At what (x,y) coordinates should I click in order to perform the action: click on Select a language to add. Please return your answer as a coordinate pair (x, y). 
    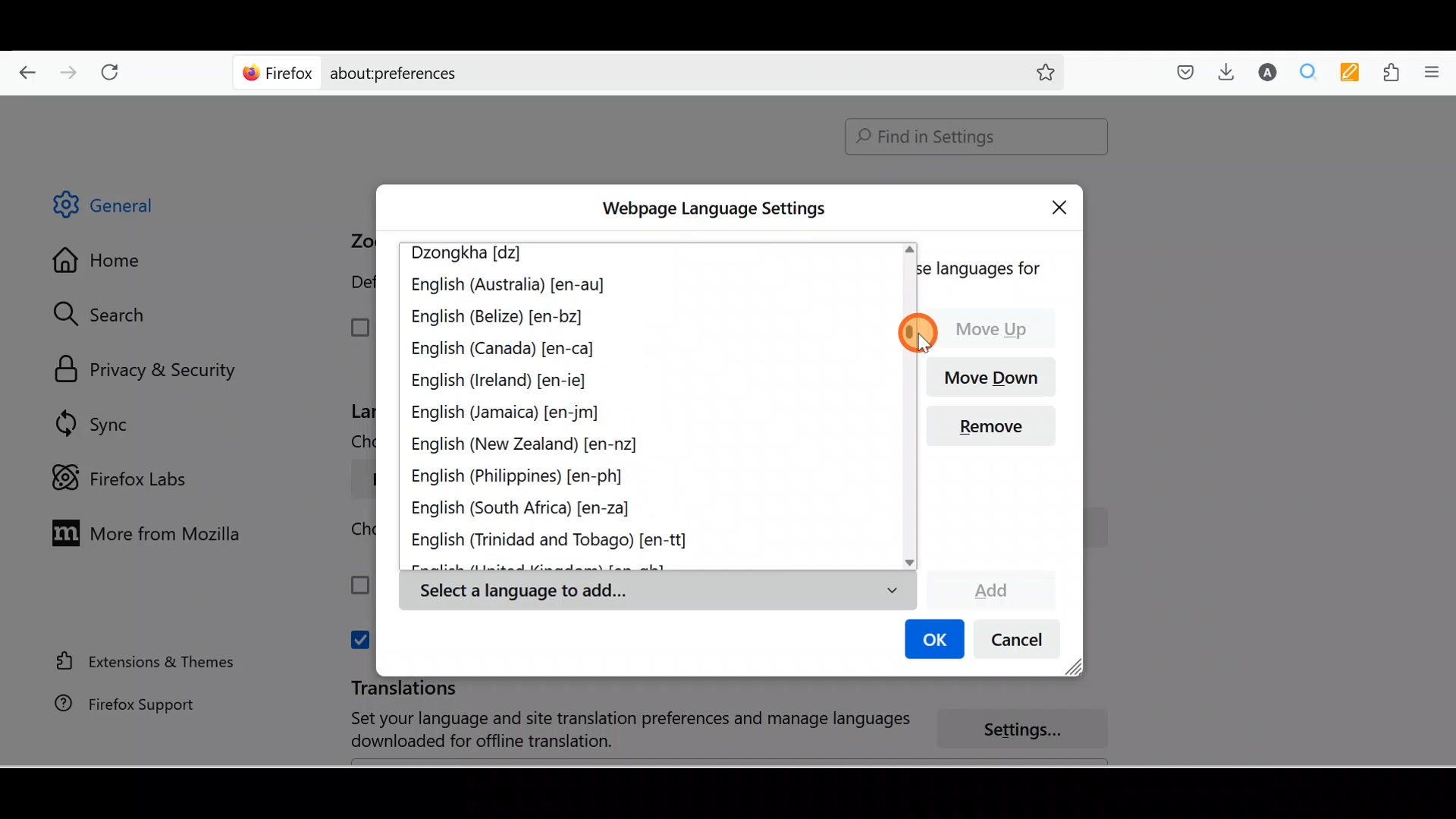
    Looking at the image, I should click on (657, 591).